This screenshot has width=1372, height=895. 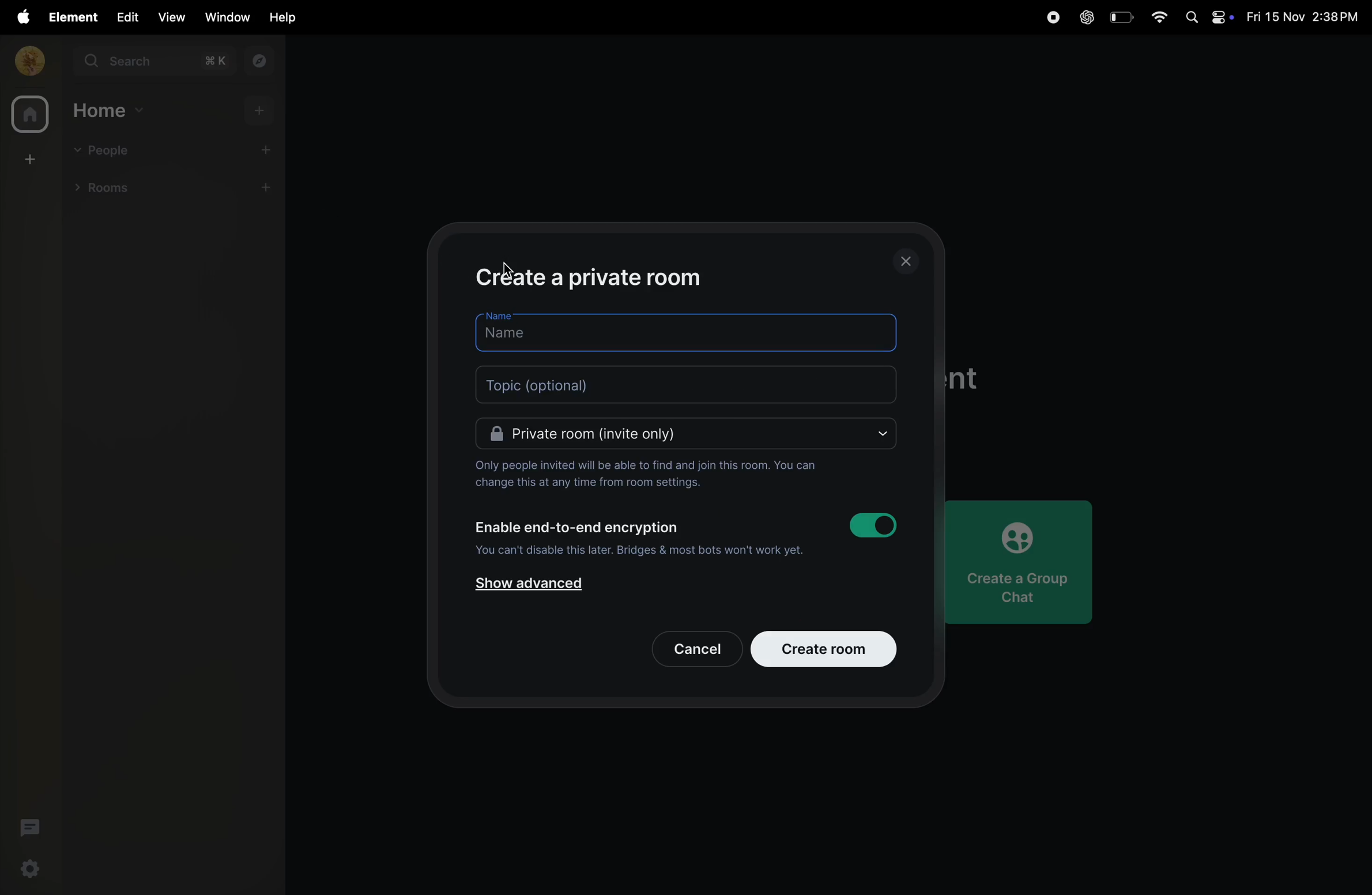 What do you see at coordinates (270, 187) in the screenshot?
I see `add room` at bounding box center [270, 187].